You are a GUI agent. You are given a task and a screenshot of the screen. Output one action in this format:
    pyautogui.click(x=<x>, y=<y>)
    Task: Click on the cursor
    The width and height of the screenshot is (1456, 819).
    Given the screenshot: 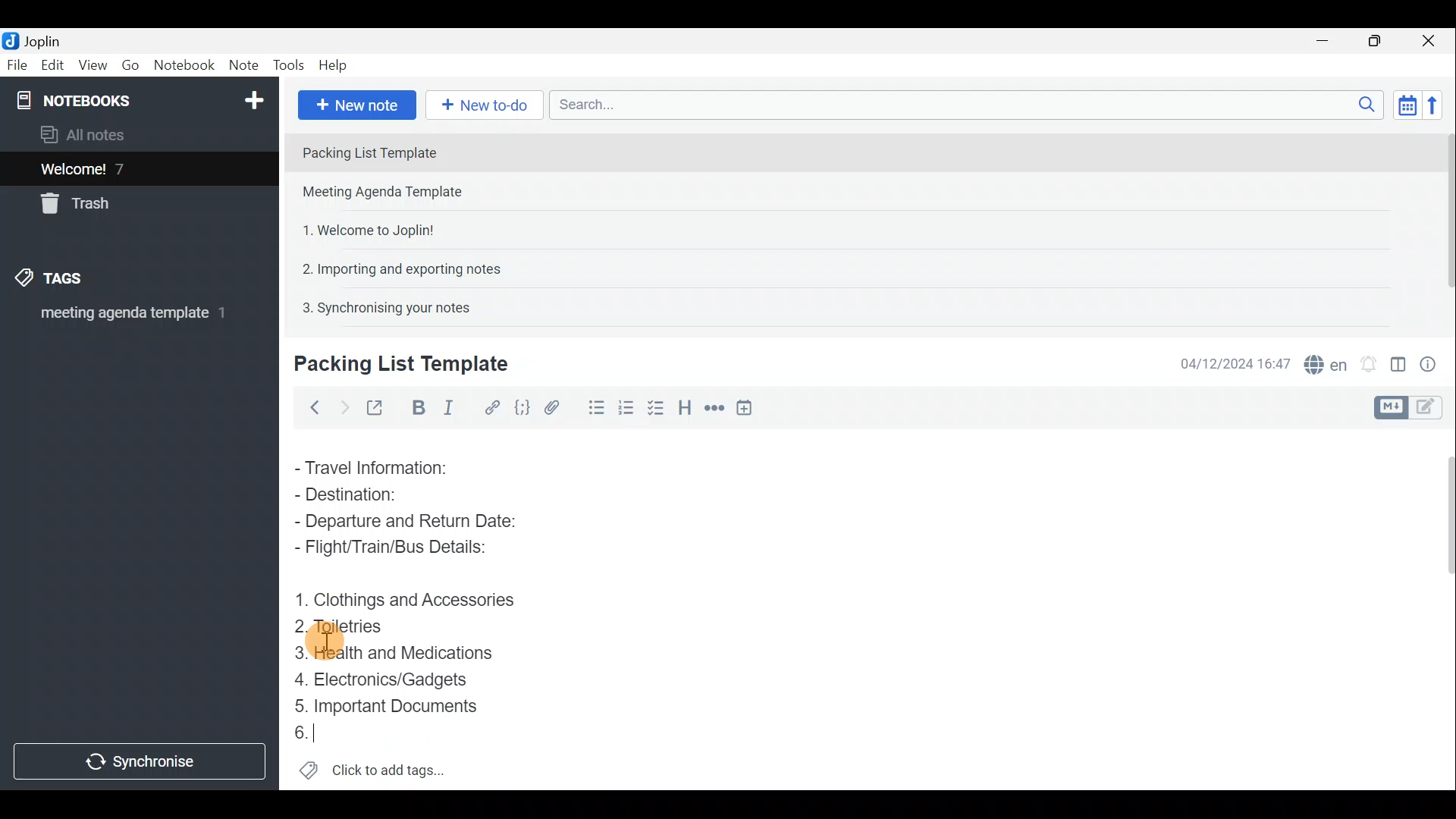 What is the action you would take?
    pyautogui.click(x=326, y=642)
    